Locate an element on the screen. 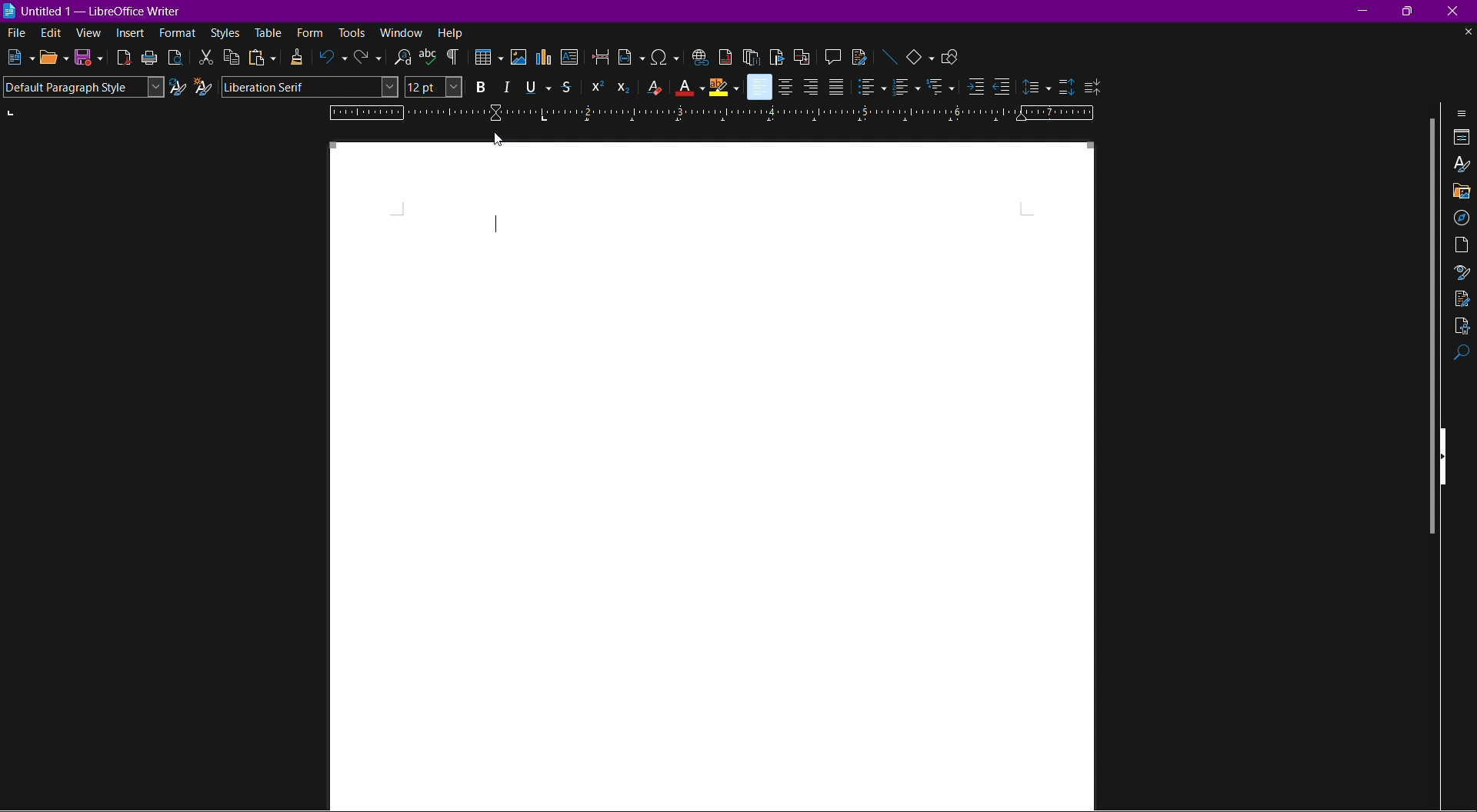 The image size is (1477, 812). Insert new page is located at coordinates (632, 58).